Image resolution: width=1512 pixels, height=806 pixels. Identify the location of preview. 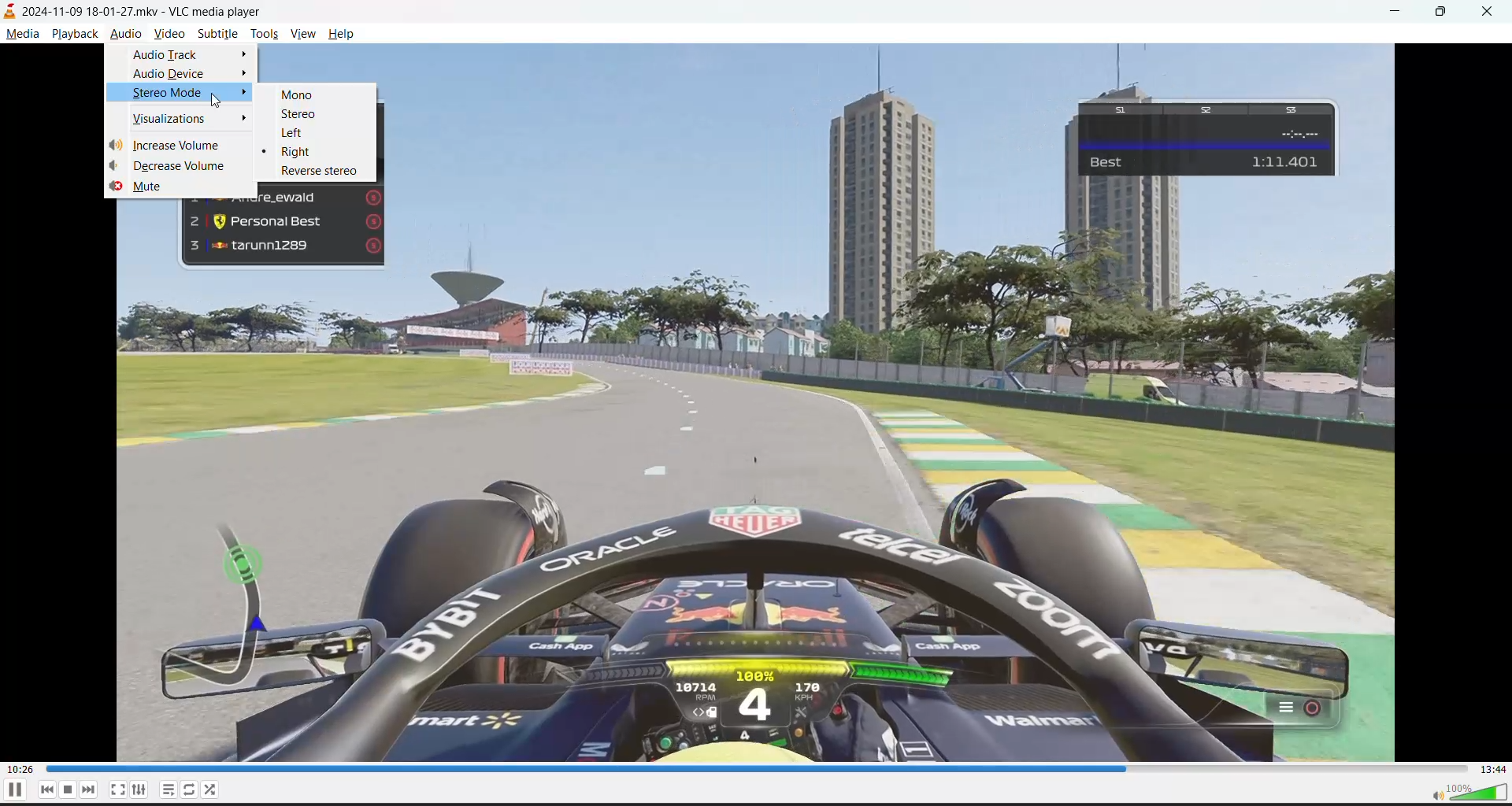
(1242, 72).